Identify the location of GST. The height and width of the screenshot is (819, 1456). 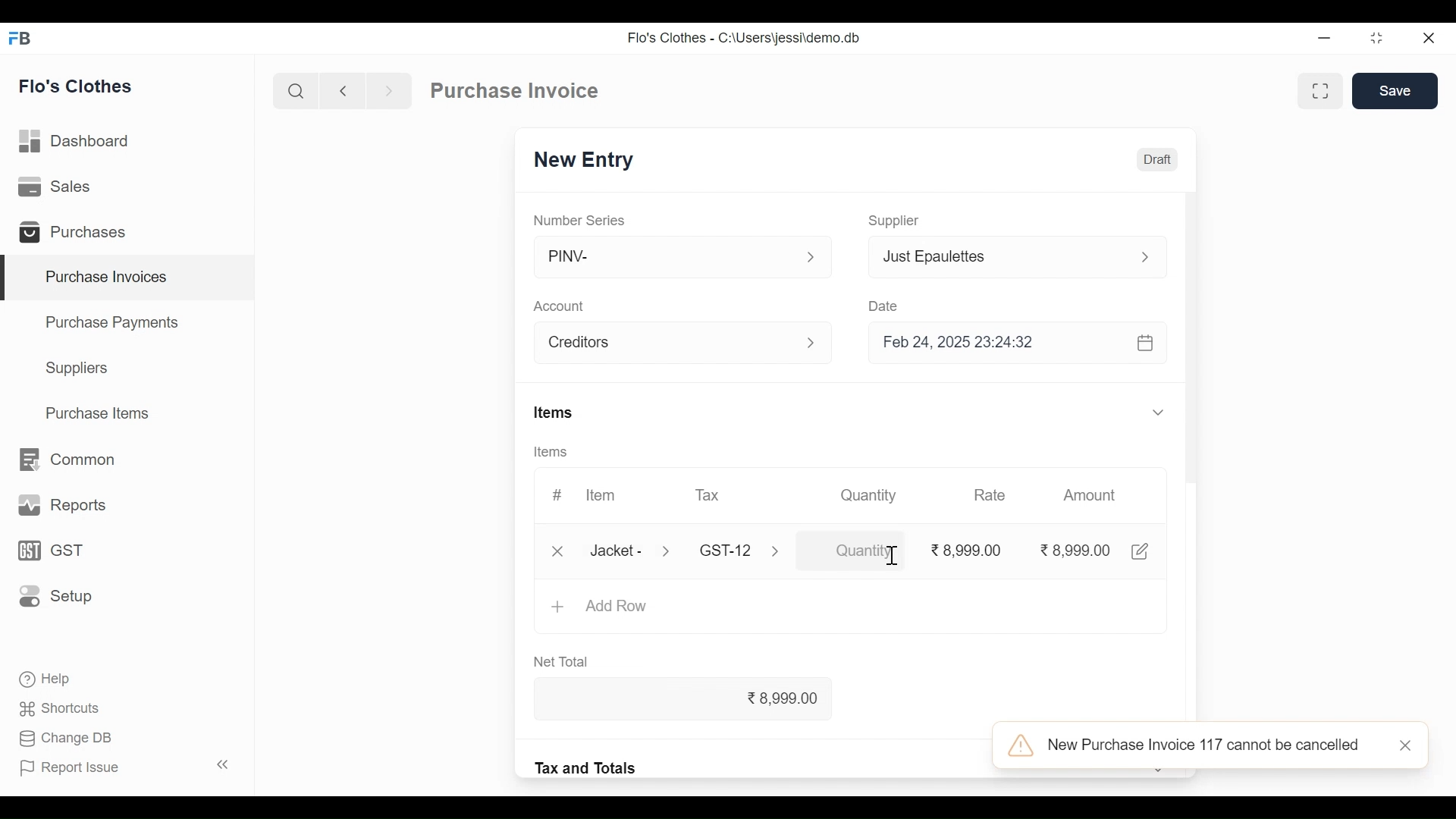
(50, 551).